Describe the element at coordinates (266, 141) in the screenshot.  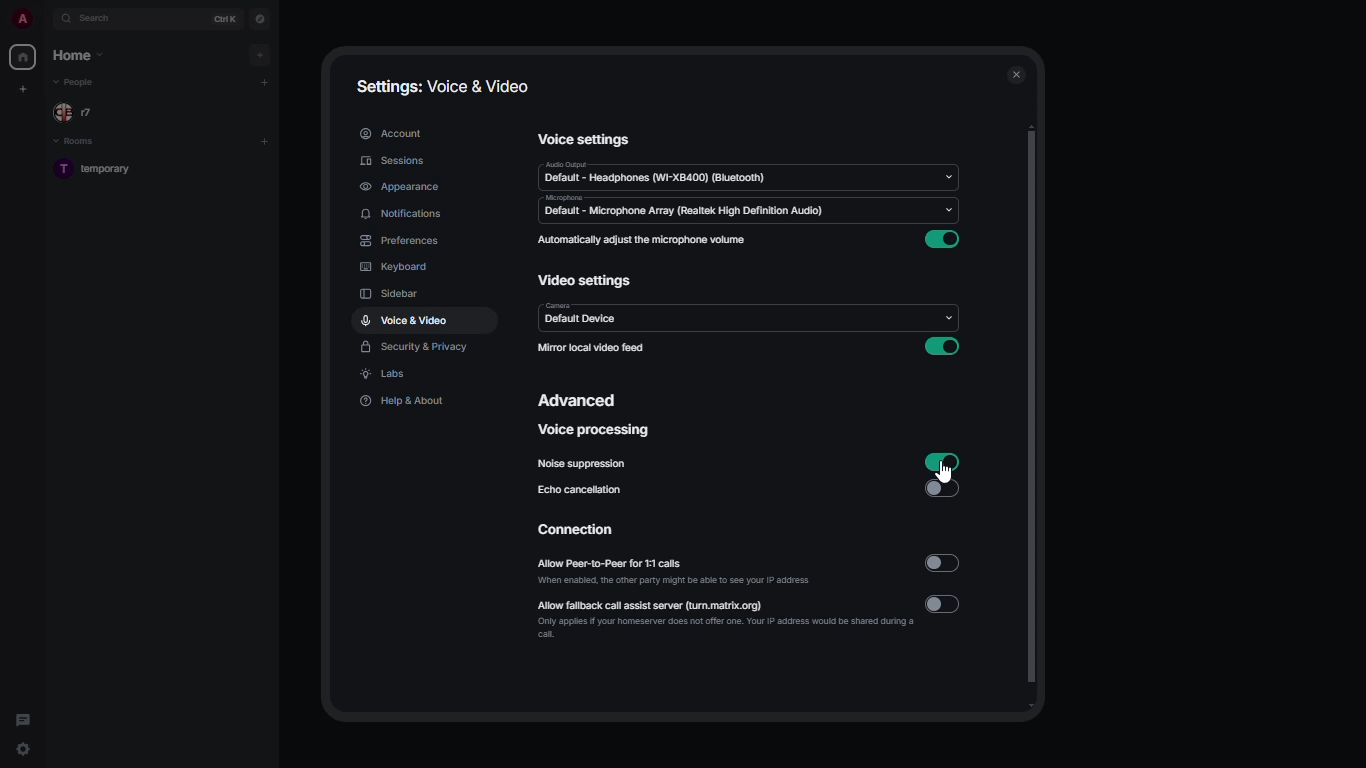
I see `add` at that location.